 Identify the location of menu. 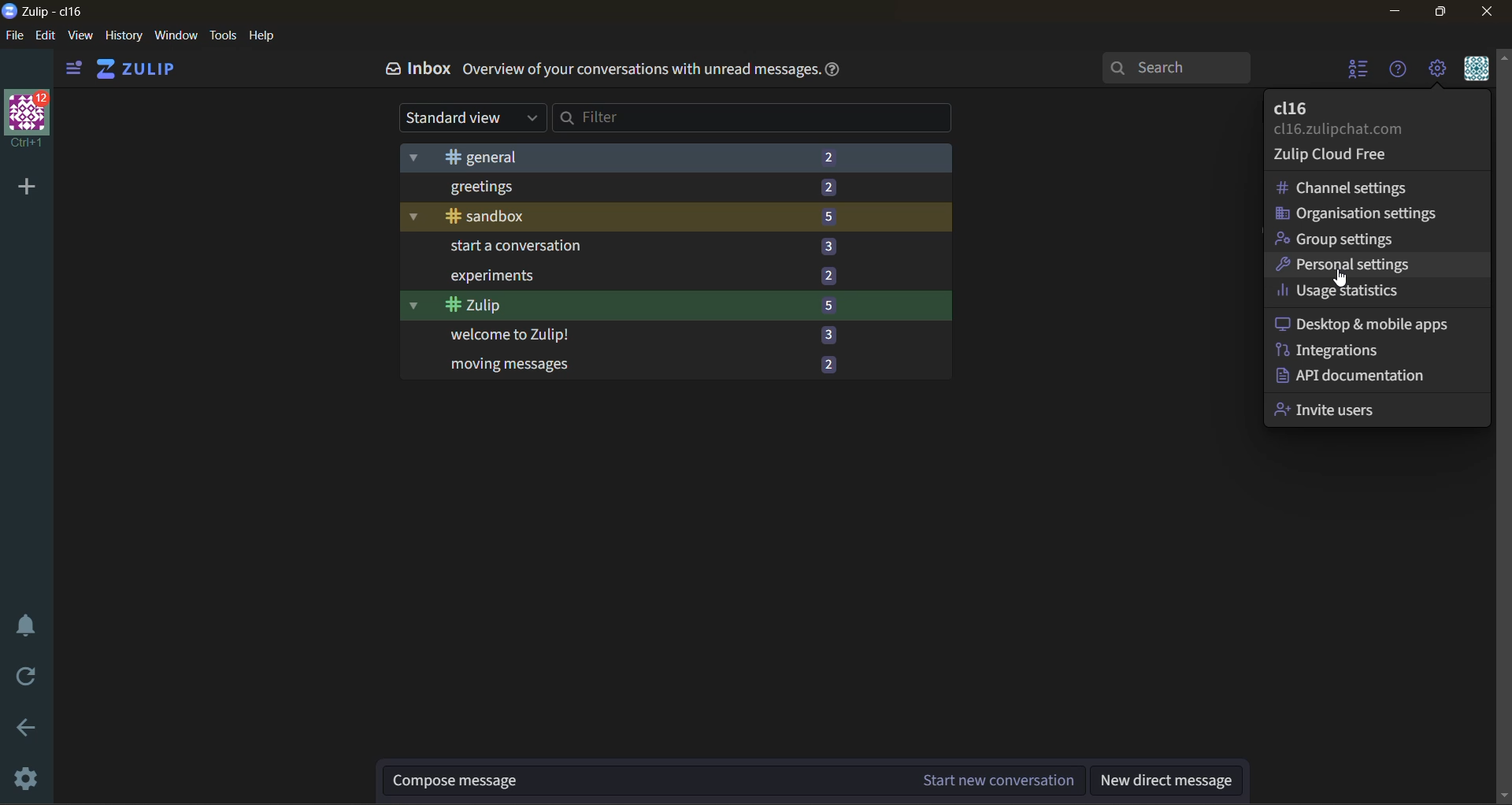
(1477, 72).